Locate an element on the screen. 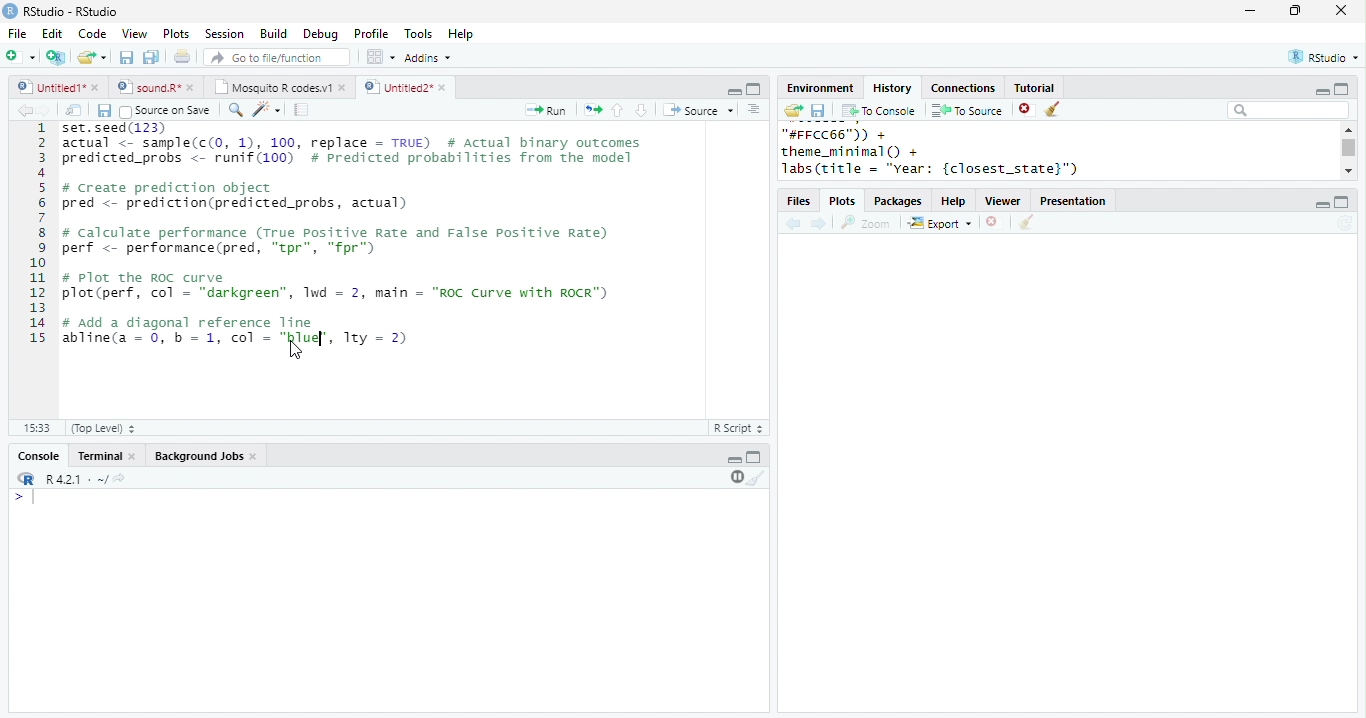 This screenshot has height=718, width=1366. console is located at coordinates (37, 457).